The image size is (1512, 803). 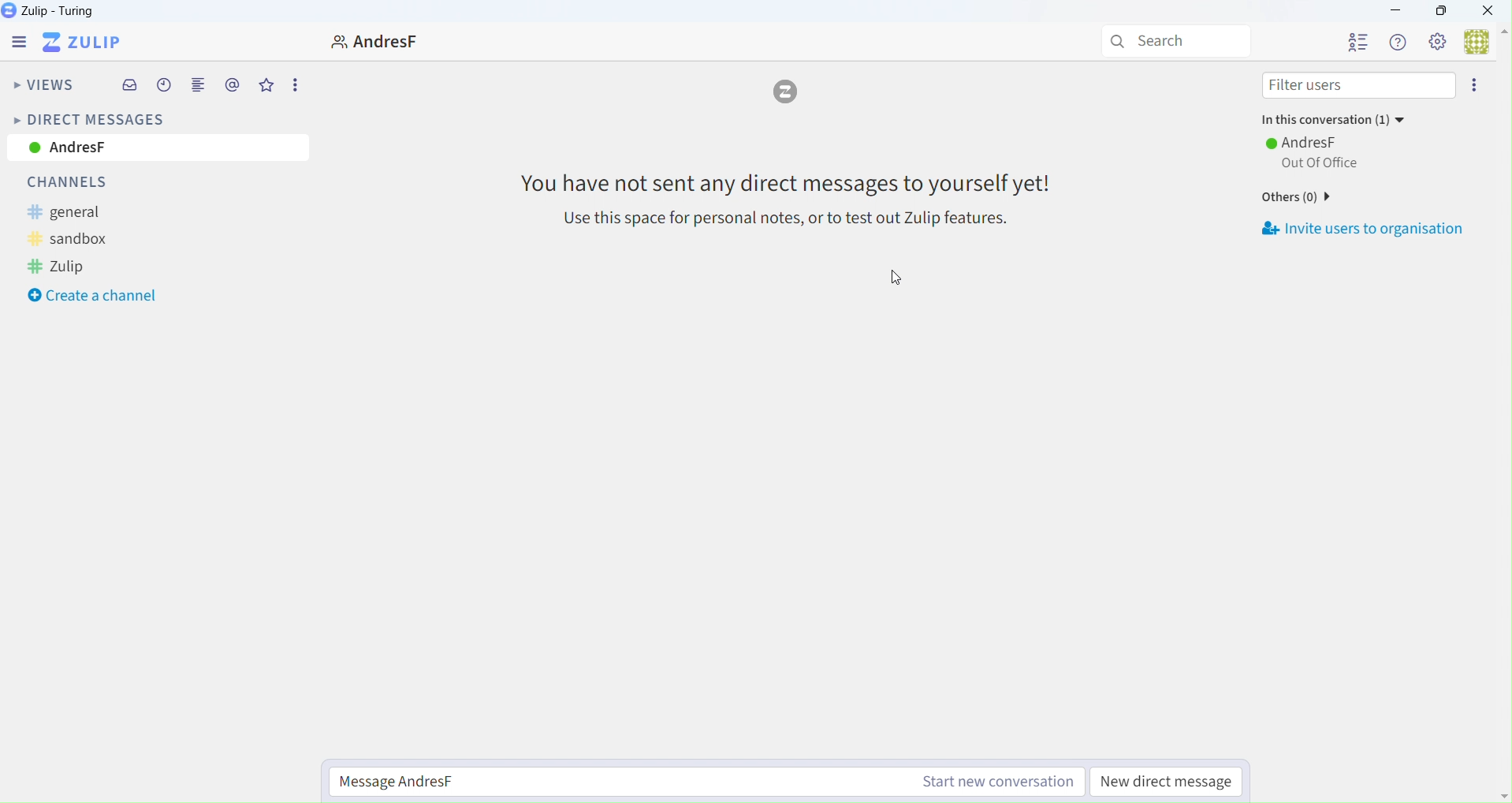 I want to click on AndresF, so click(x=1320, y=142).